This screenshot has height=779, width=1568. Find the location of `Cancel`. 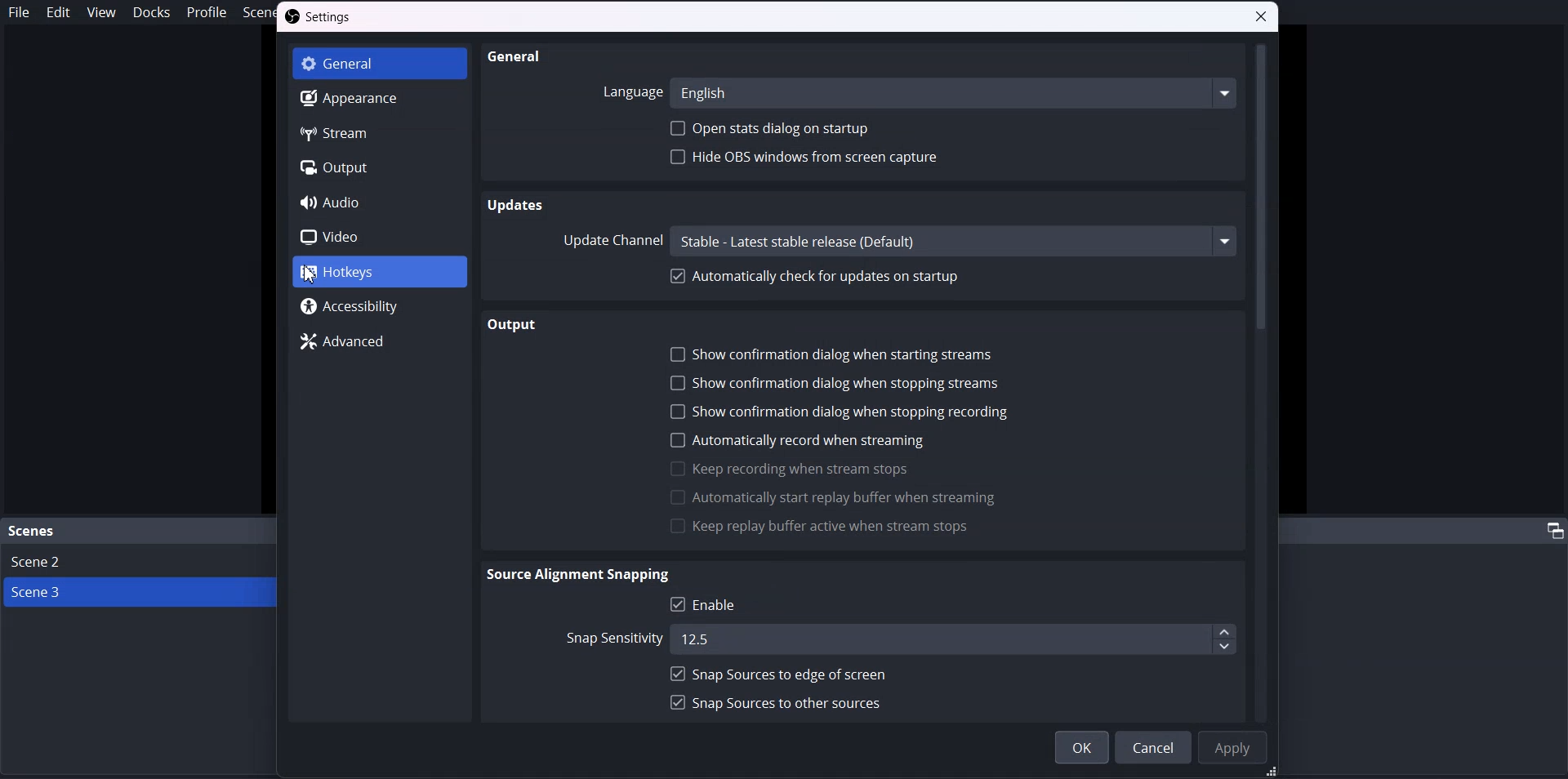

Cancel is located at coordinates (1153, 747).